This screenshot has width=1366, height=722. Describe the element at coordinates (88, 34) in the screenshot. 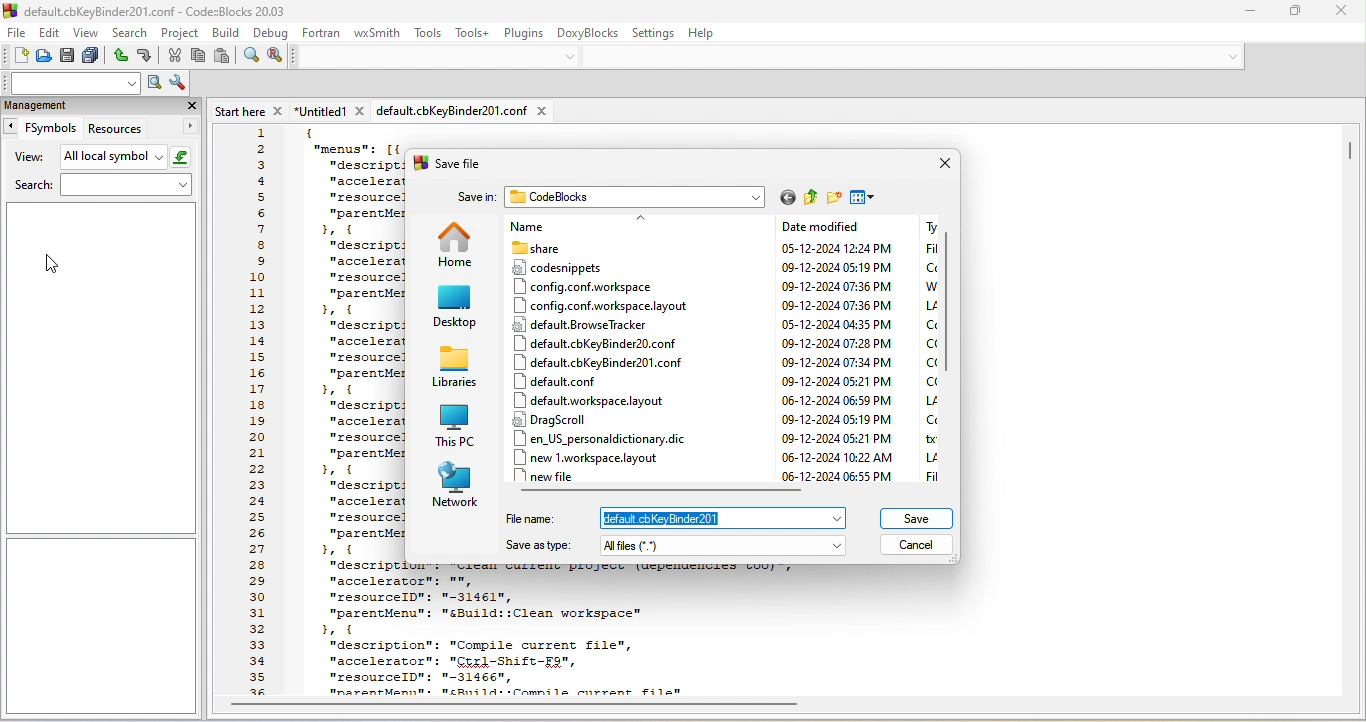

I see `view` at that location.